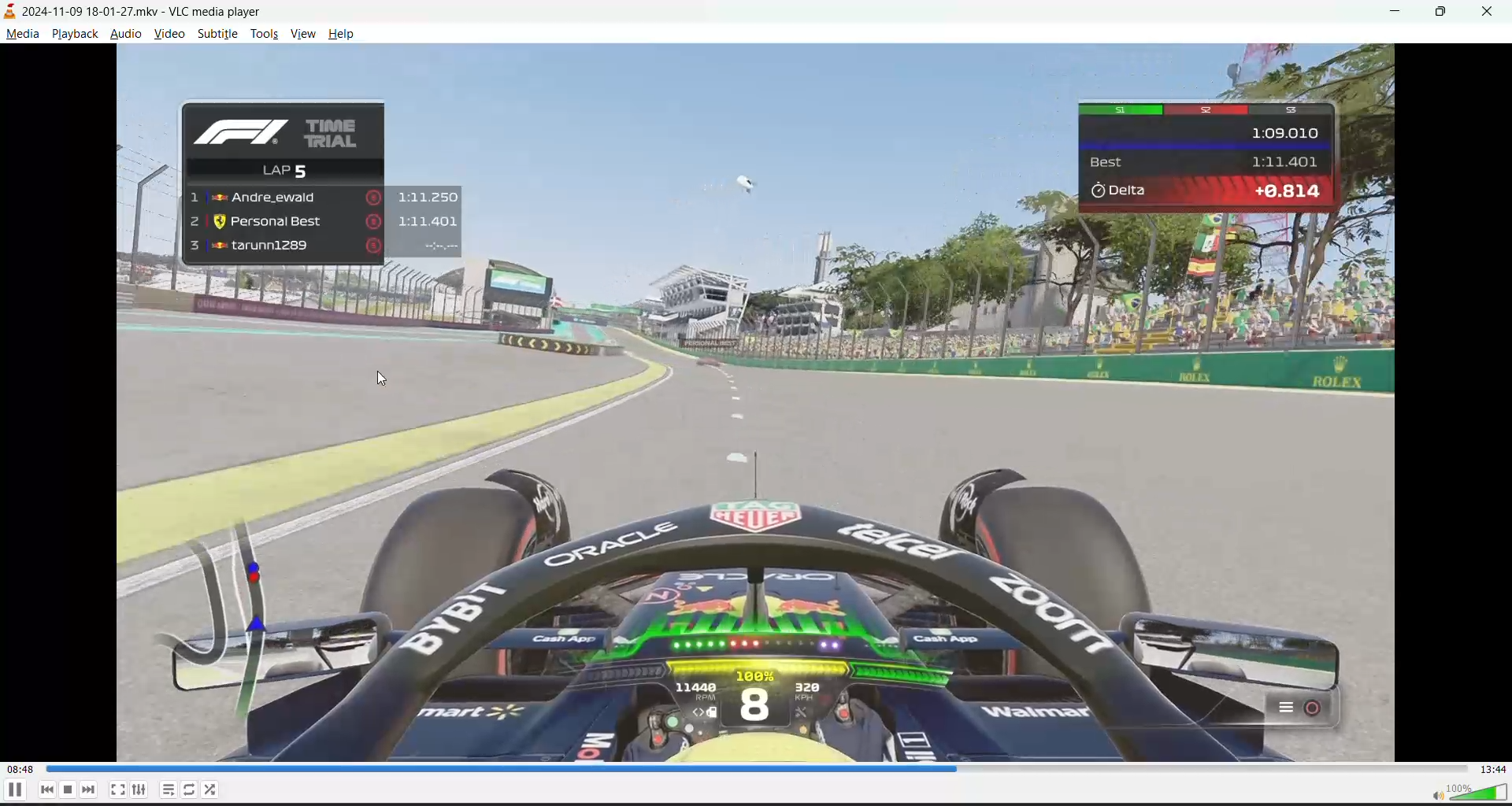 The width and height of the screenshot is (1512, 806). I want to click on loop, so click(191, 788).